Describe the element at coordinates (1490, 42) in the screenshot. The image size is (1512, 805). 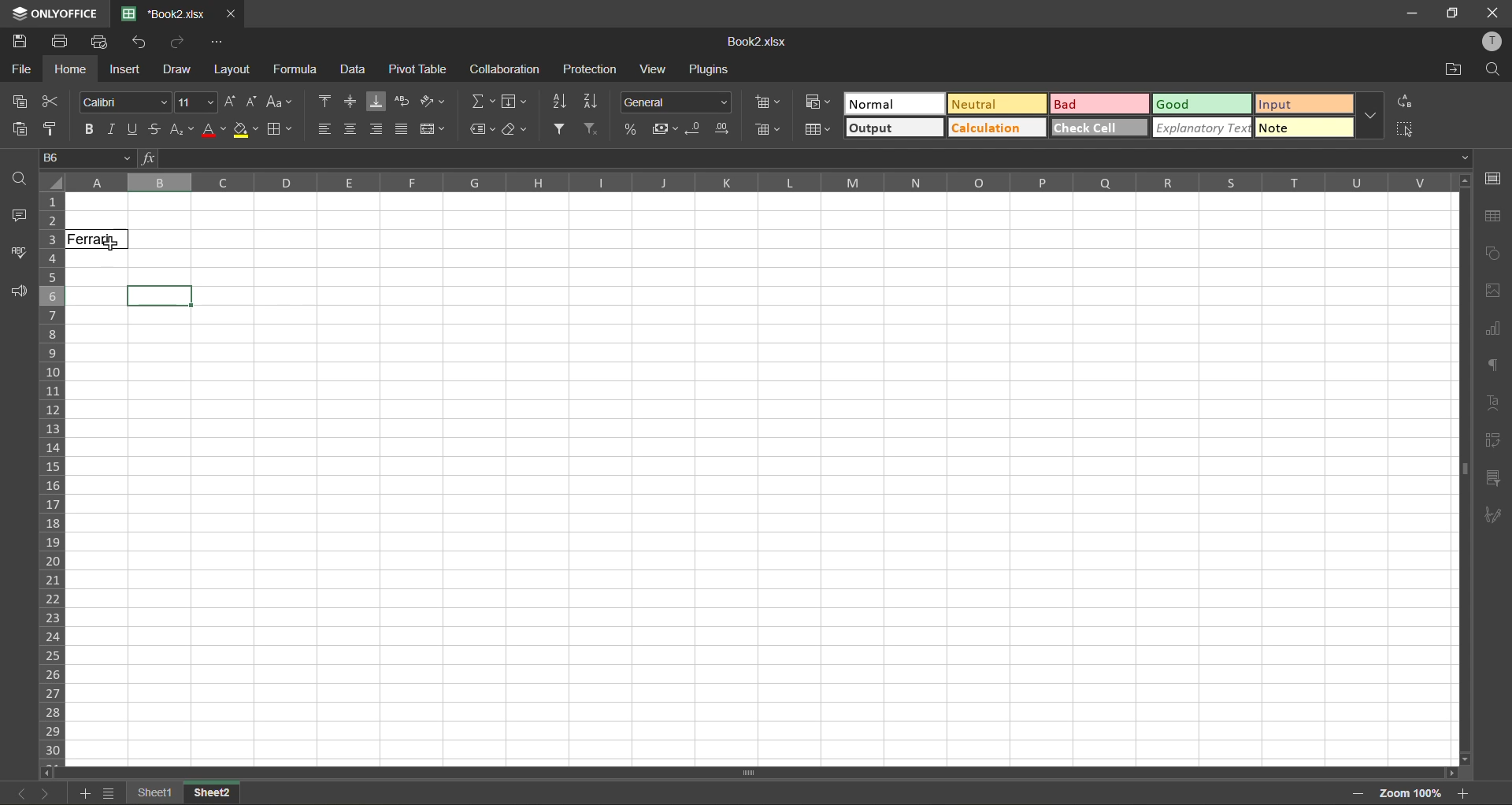
I see `profile` at that location.